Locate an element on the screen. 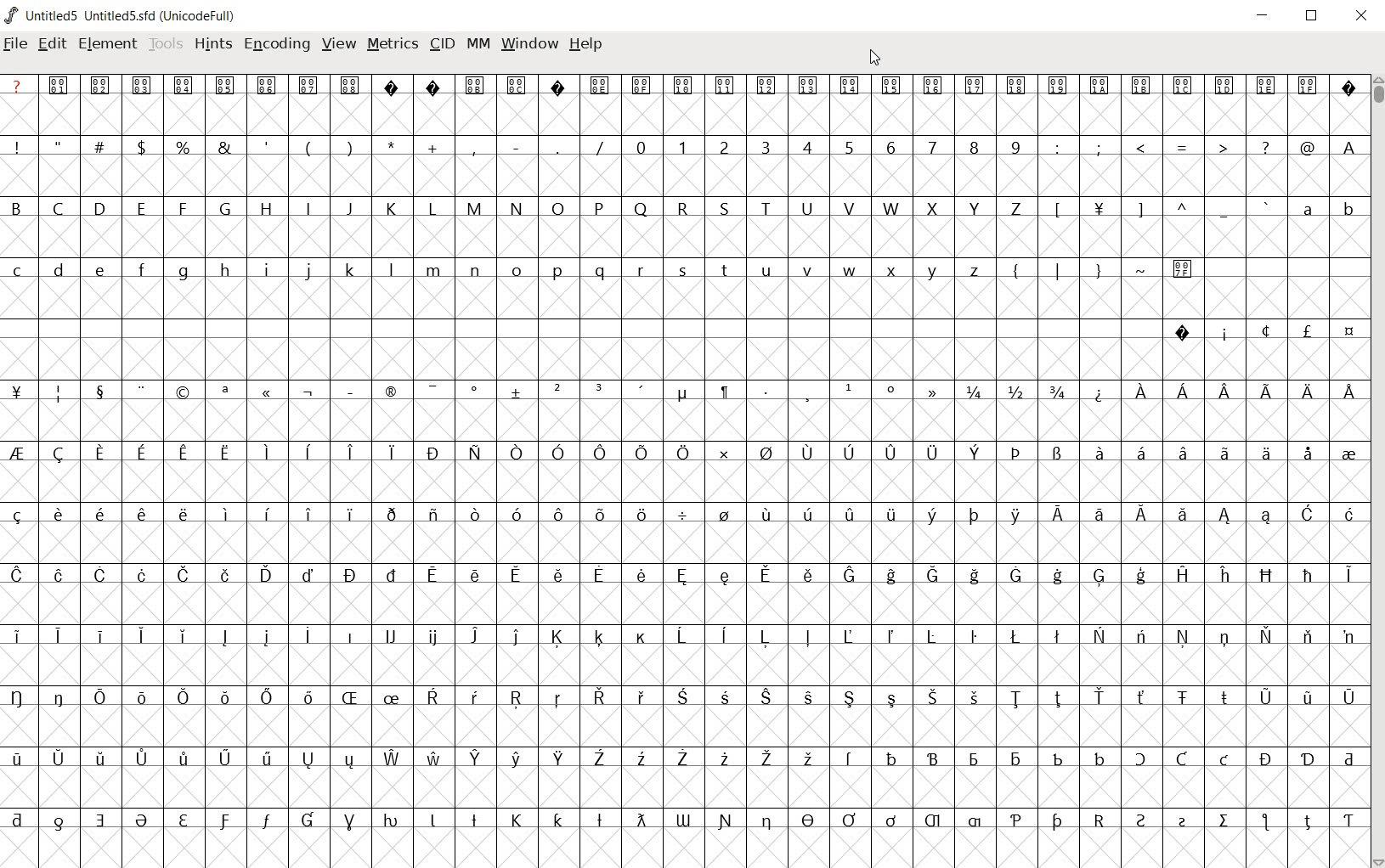  S is located at coordinates (726, 208).